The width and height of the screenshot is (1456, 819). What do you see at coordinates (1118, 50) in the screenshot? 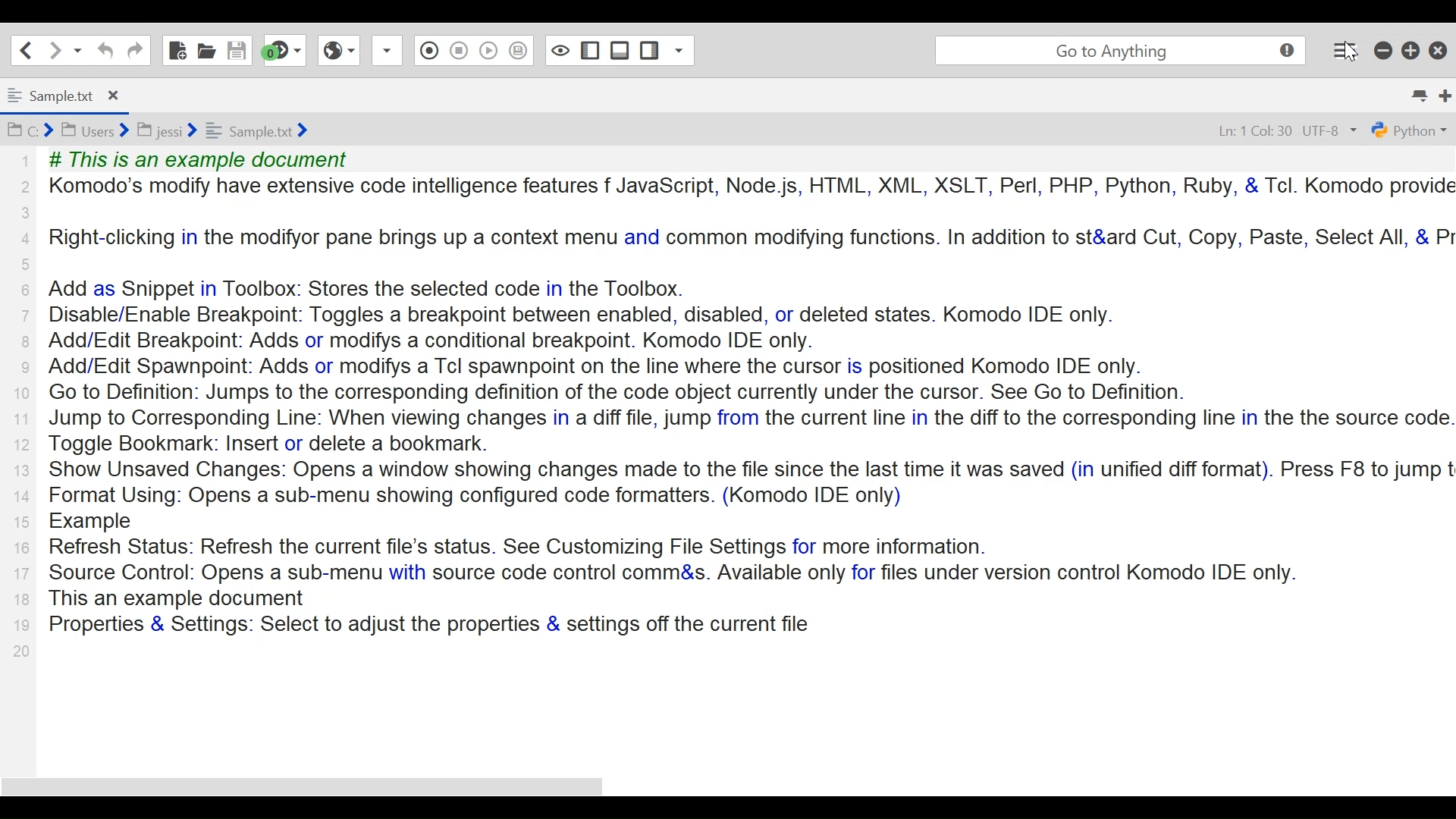
I see `go to anything` at bounding box center [1118, 50].